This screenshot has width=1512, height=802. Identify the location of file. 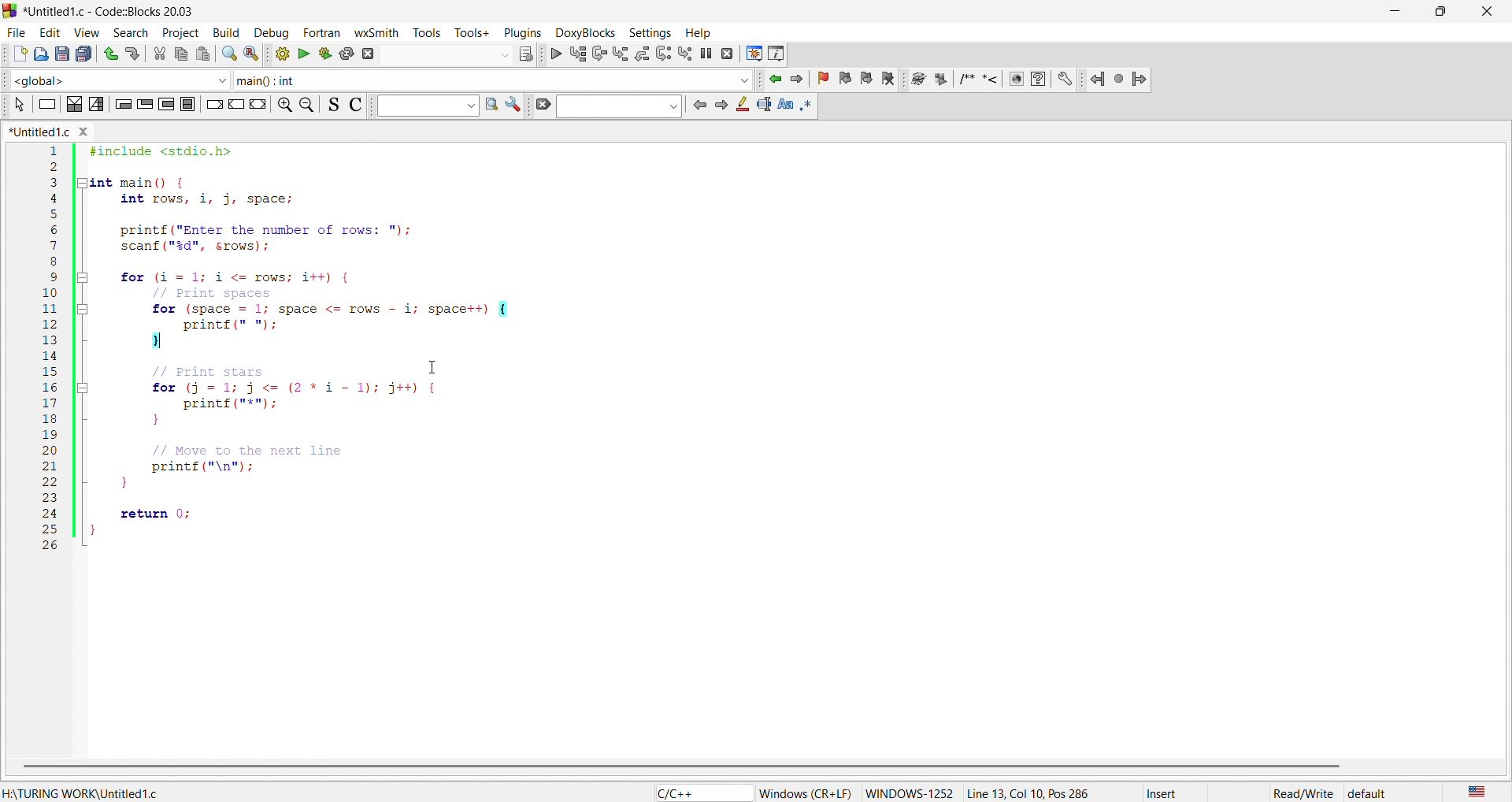
(16, 31).